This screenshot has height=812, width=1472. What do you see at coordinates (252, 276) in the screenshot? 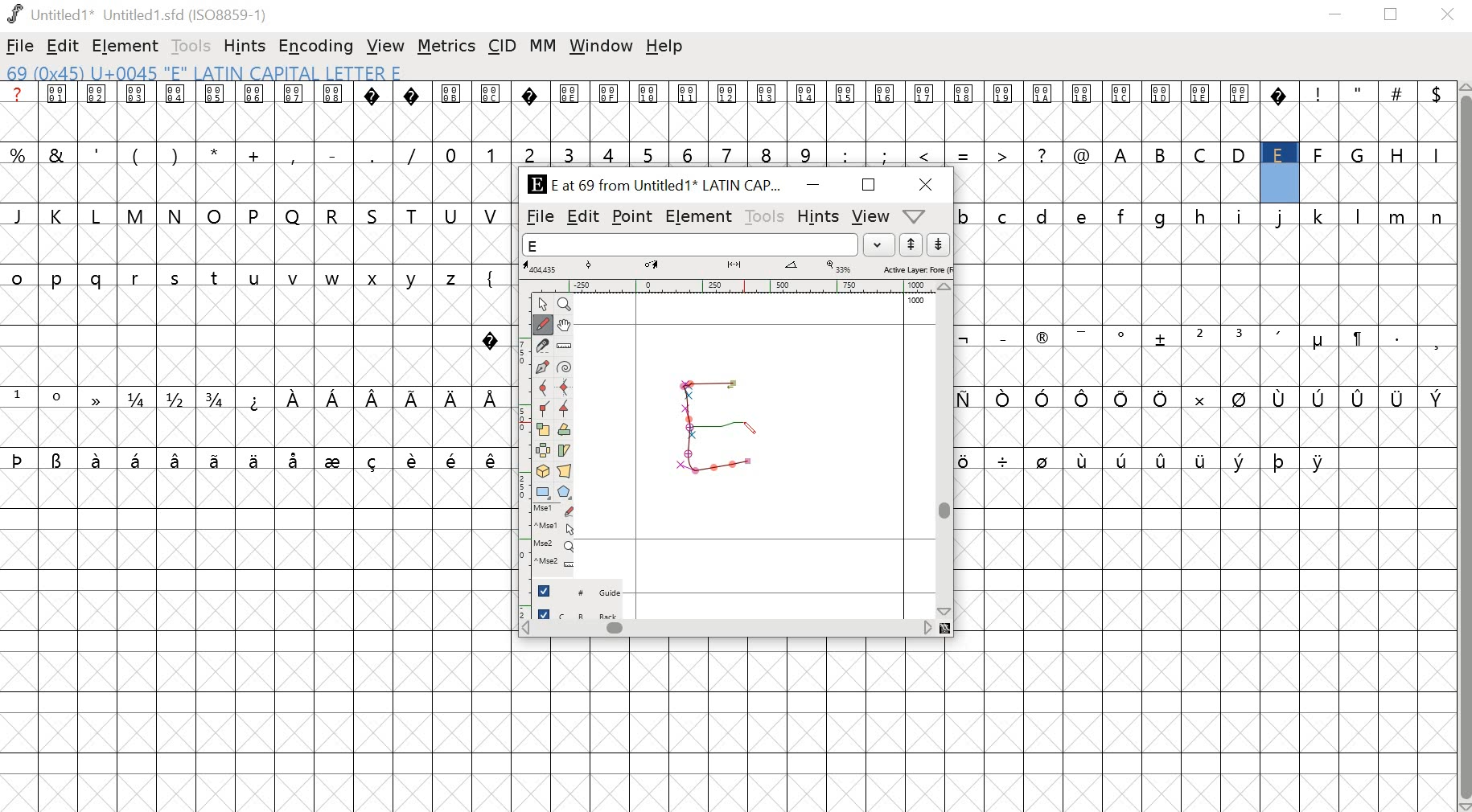
I see `lowercase alphabets and symbol` at bounding box center [252, 276].